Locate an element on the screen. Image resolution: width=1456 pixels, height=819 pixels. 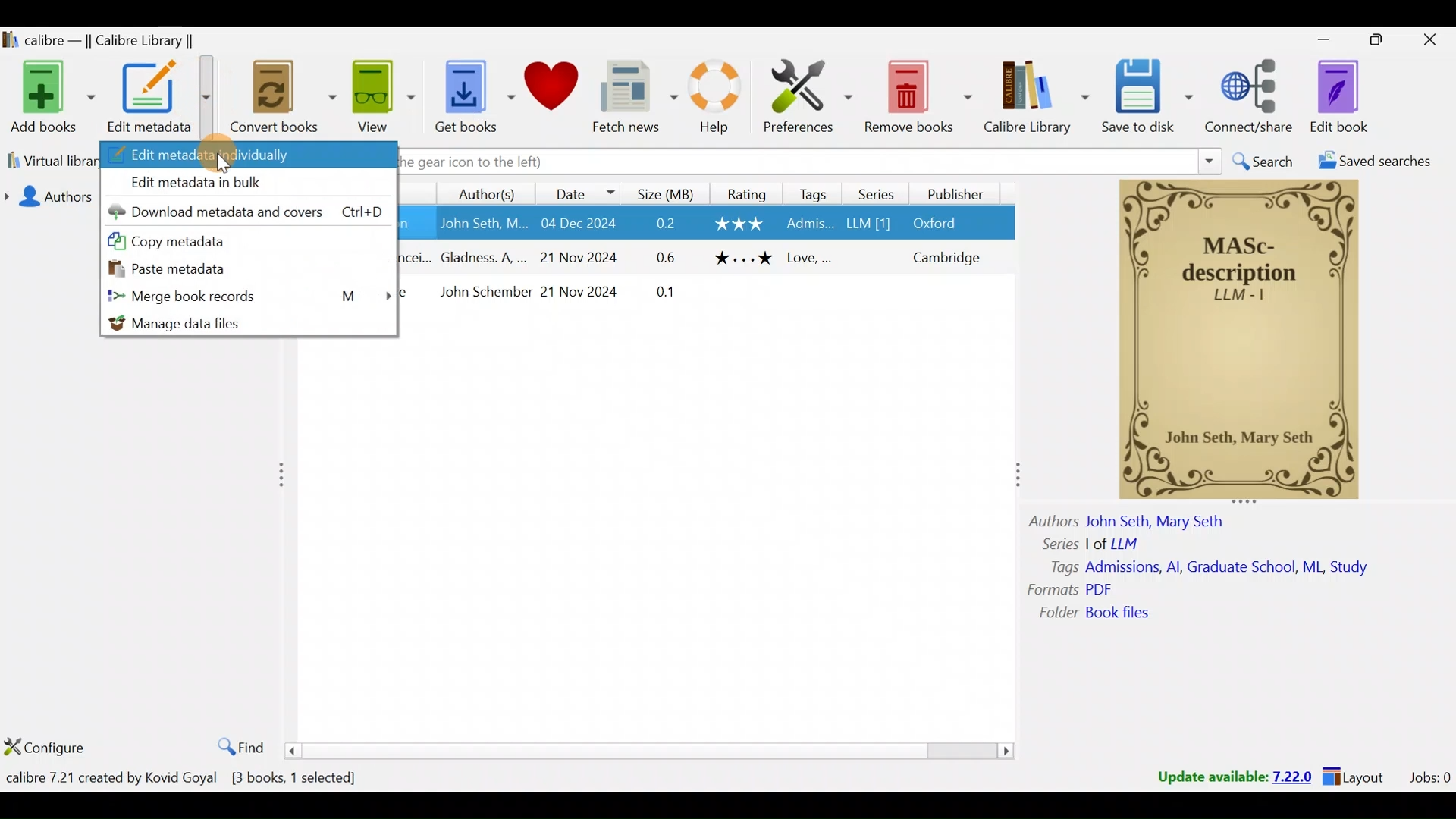
Calibre library is located at coordinates (121, 42).